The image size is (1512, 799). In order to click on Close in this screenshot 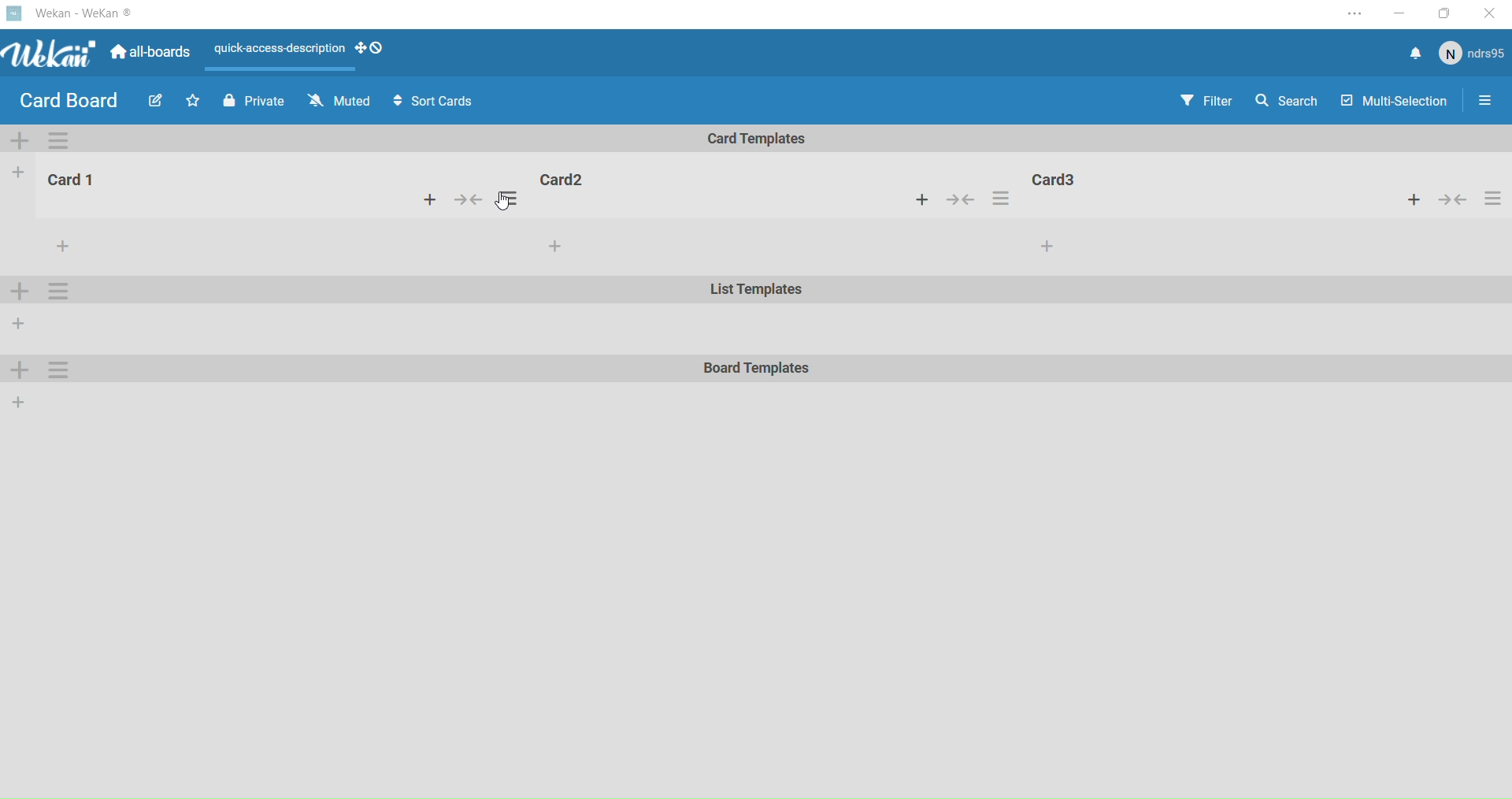, I will do `click(1492, 12)`.